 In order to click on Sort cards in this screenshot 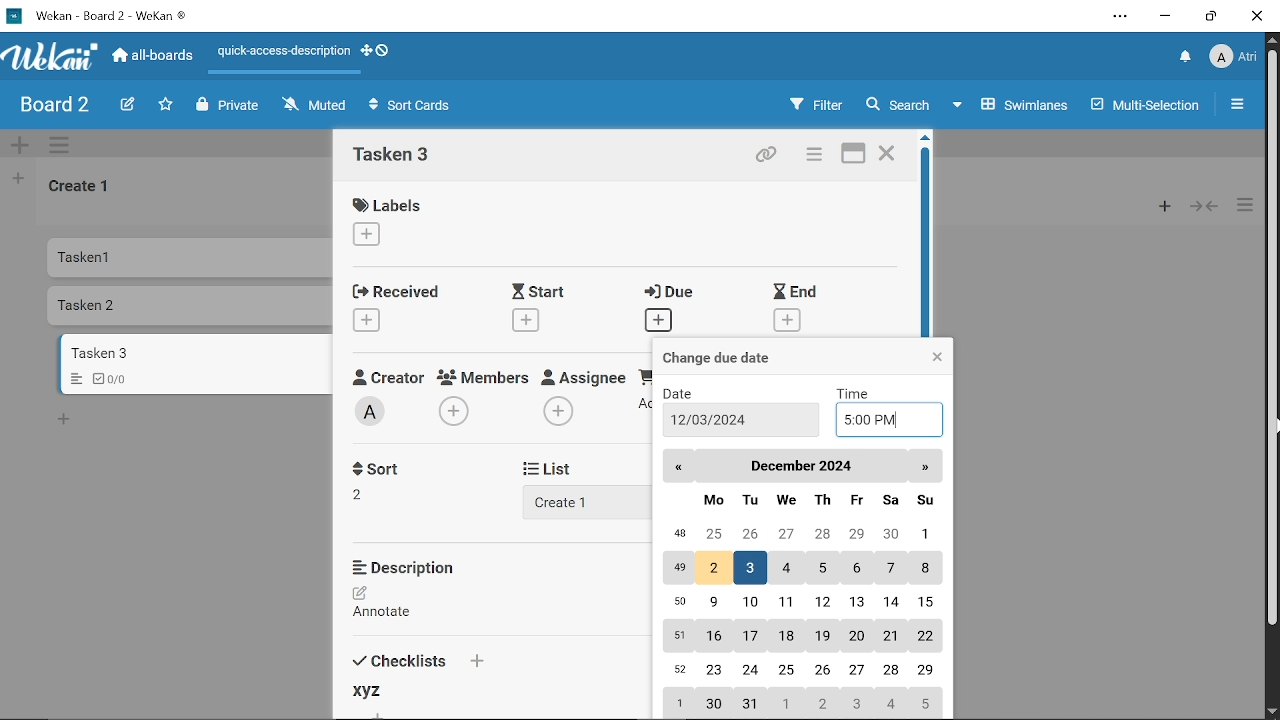, I will do `click(415, 107)`.